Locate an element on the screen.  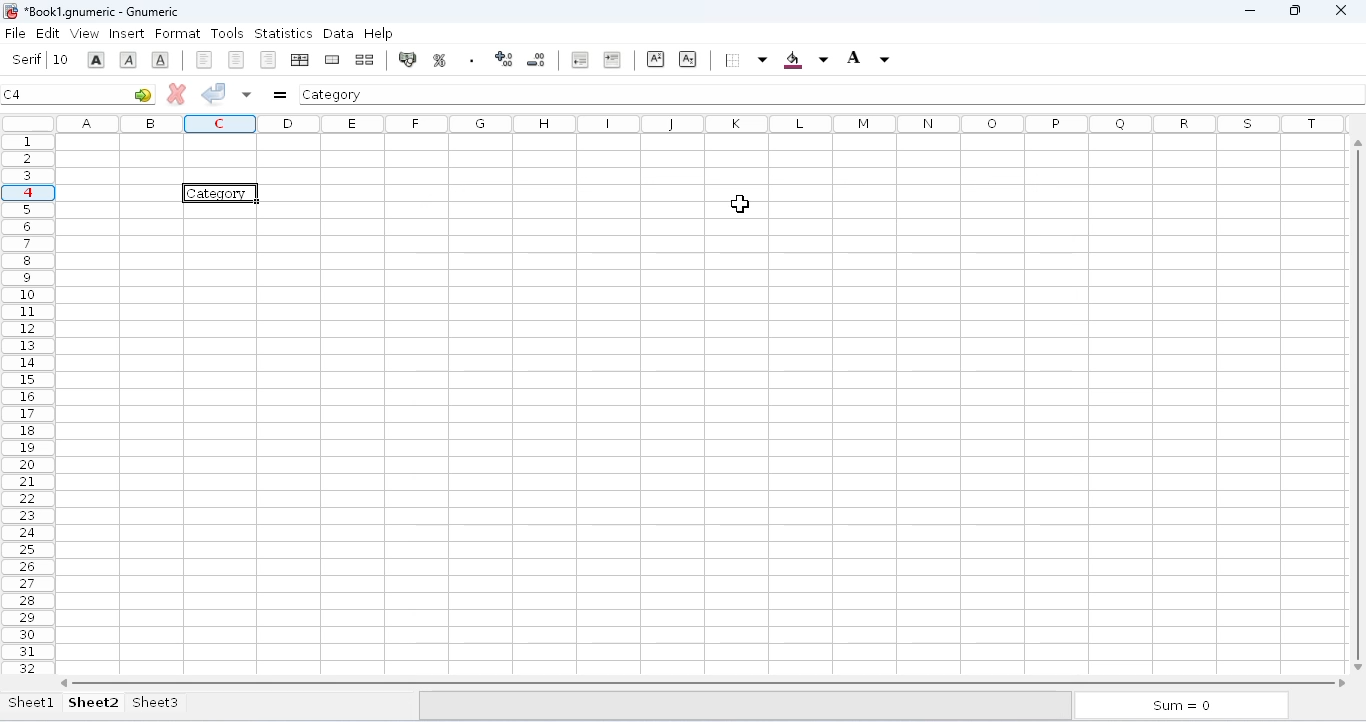
accept changes to multiple cells is located at coordinates (247, 94).